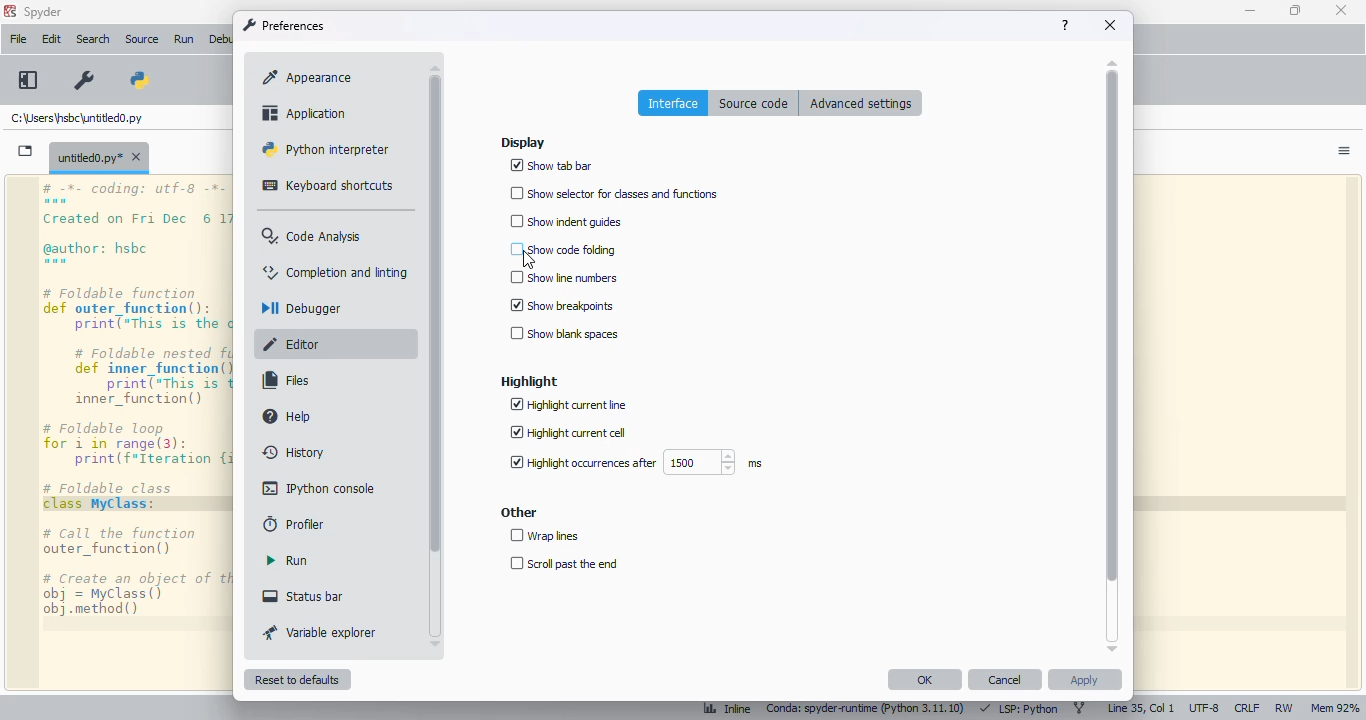  Describe the element at coordinates (861, 102) in the screenshot. I see `advanced settings` at that location.